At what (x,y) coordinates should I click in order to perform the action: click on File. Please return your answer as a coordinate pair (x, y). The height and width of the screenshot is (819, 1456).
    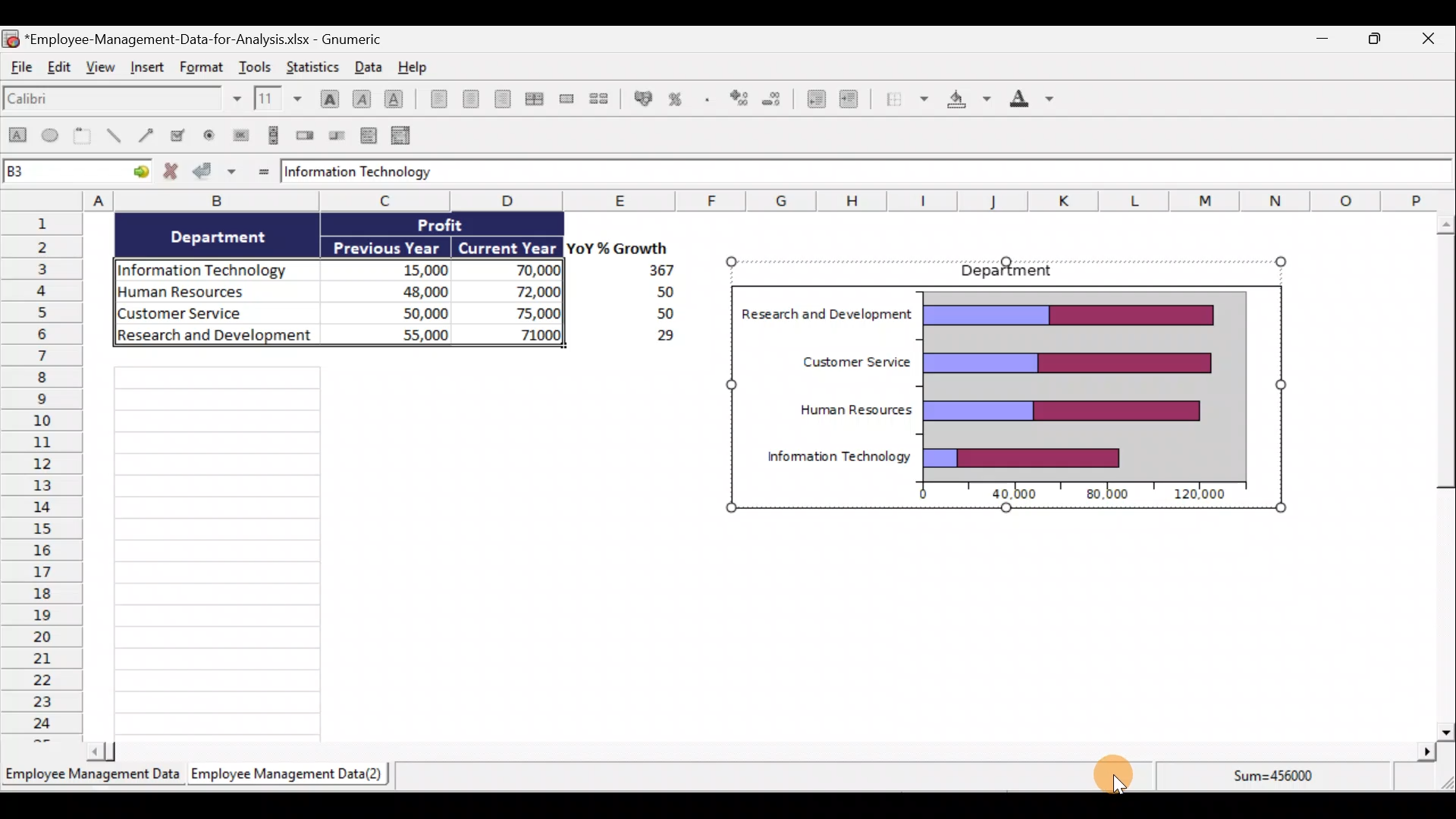
    Looking at the image, I should click on (20, 67).